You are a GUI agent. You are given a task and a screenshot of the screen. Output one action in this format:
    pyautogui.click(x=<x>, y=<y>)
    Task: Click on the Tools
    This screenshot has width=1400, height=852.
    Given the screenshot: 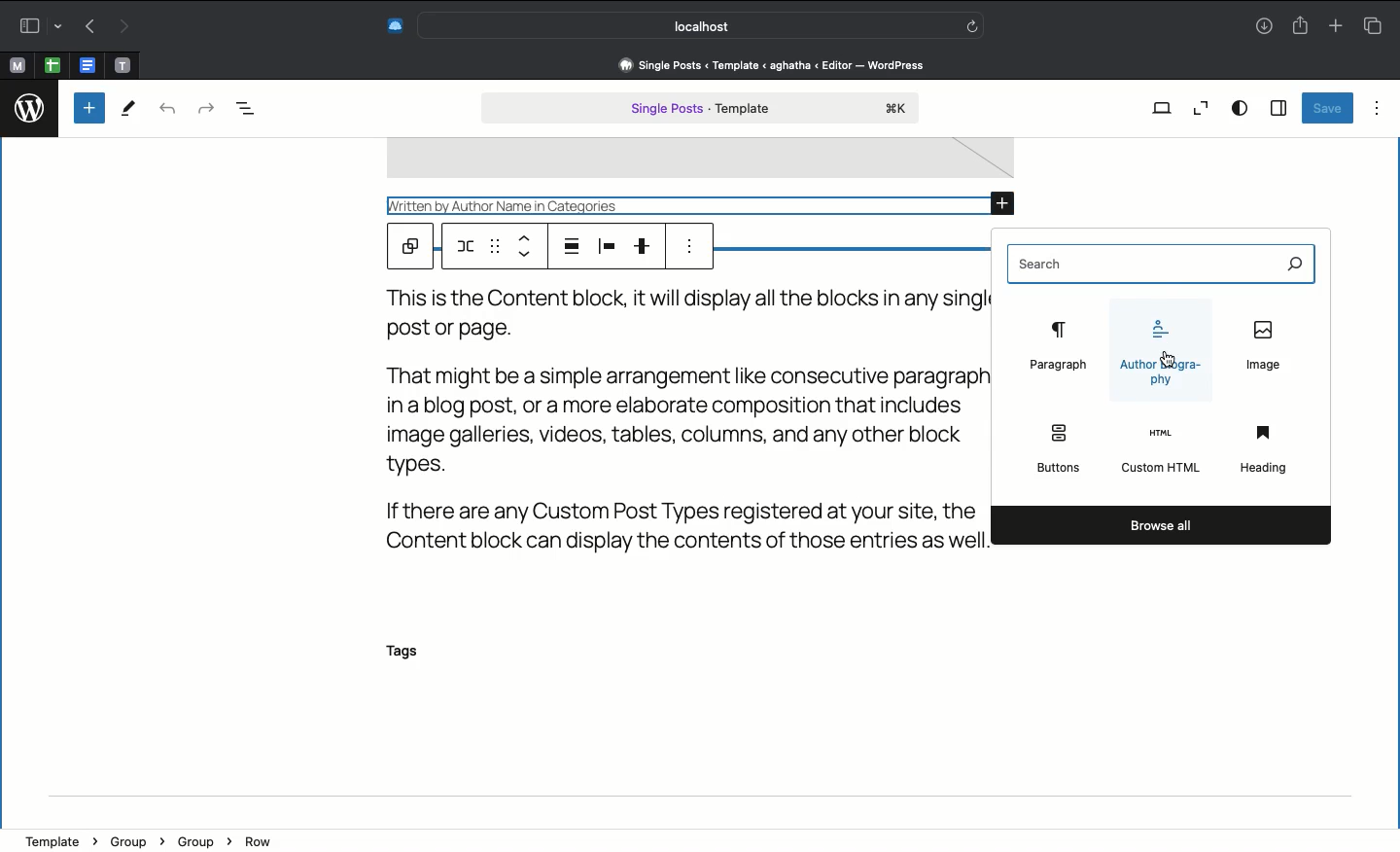 What is the action you would take?
    pyautogui.click(x=129, y=111)
    